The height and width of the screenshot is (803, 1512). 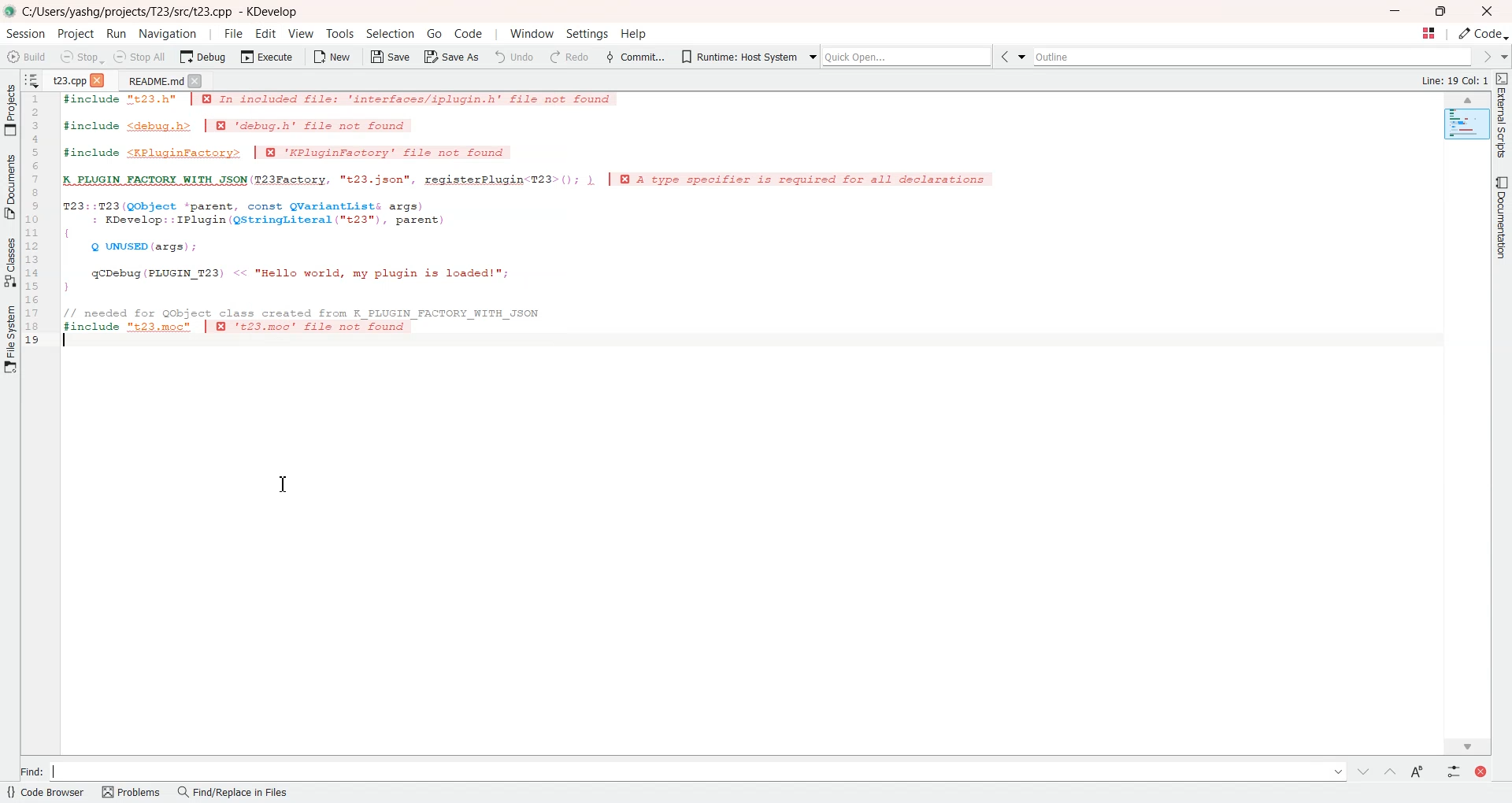 I want to click on Problems, so click(x=132, y=793).